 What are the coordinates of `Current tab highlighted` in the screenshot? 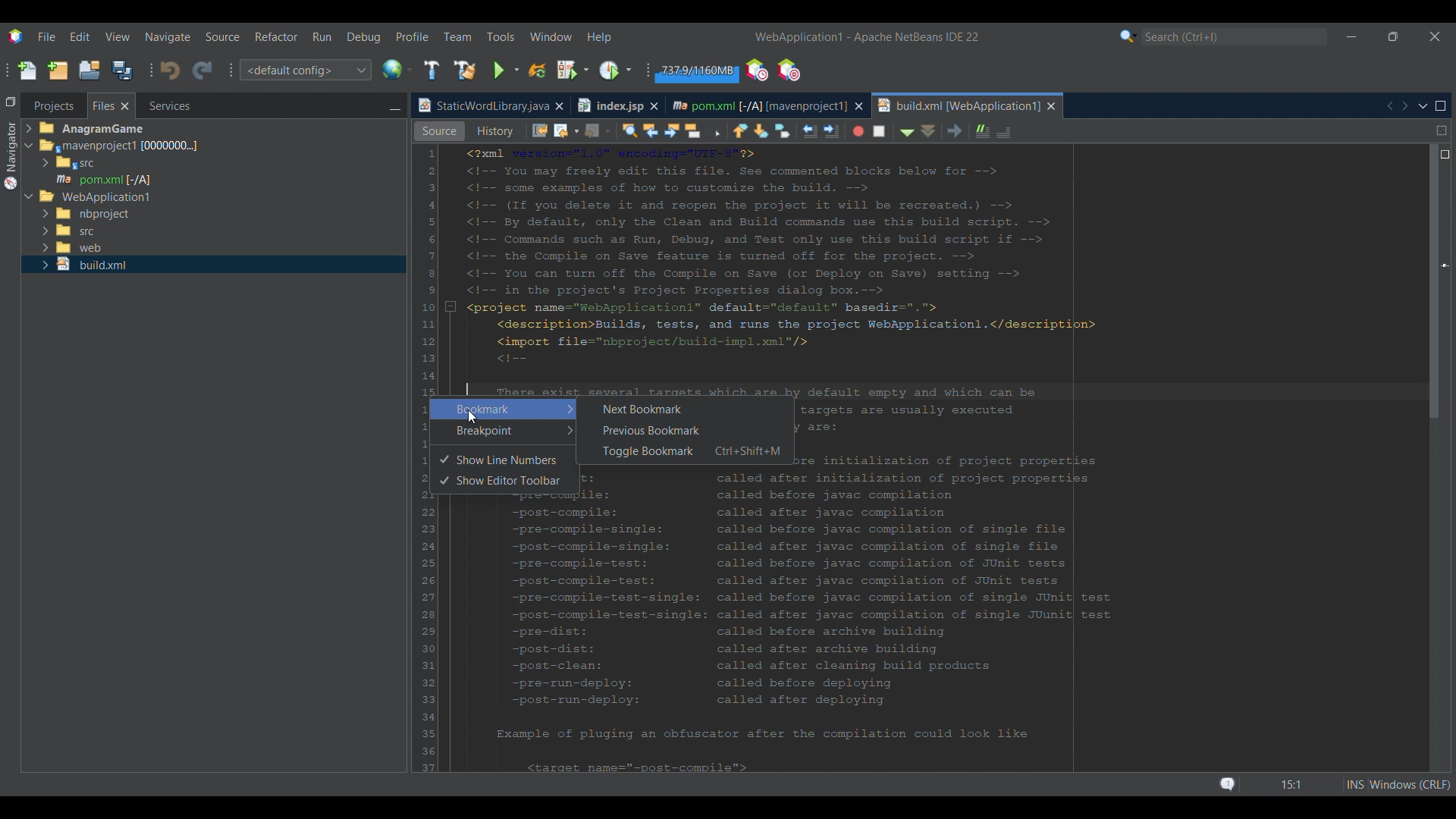 It's located at (482, 106).